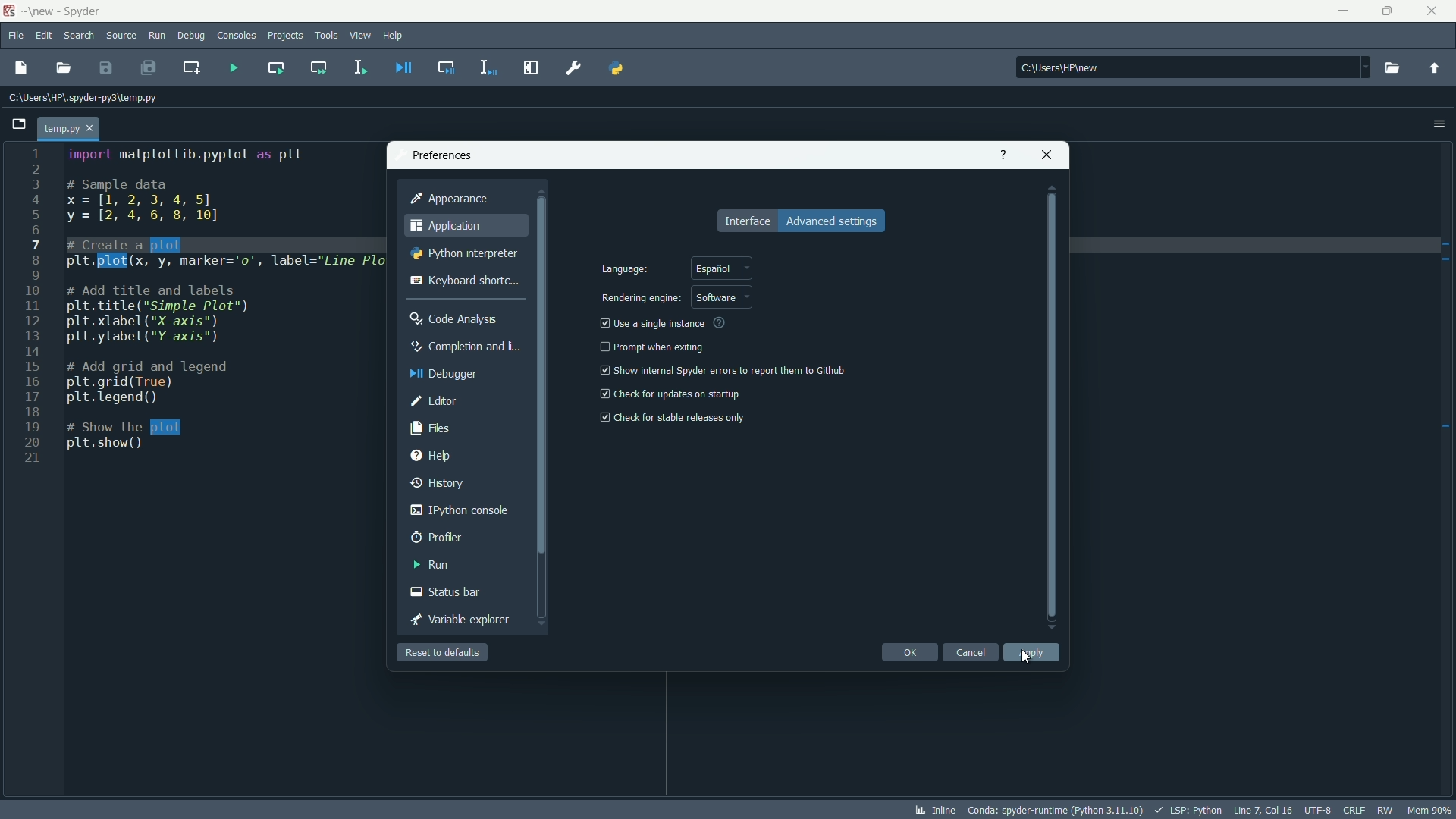 This screenshot has width=1456, height=819. Describe the element at coordinates (443, 155) in the screenshot. I see `preferences` at that location.